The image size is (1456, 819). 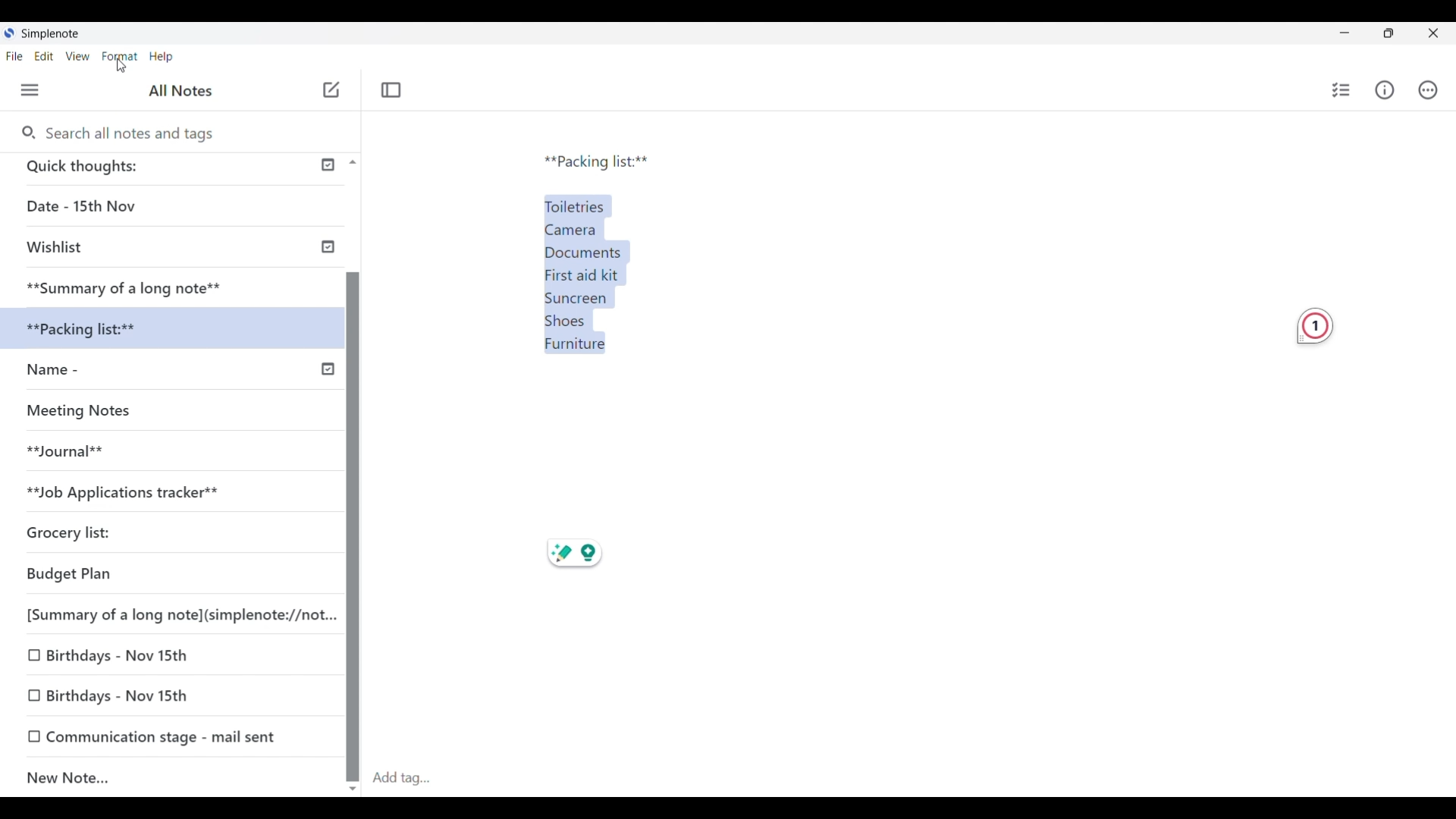 What do you see at coordinates (1385, 90) in the screenshot?
I see `Info` at bounding box center [1385, 90].